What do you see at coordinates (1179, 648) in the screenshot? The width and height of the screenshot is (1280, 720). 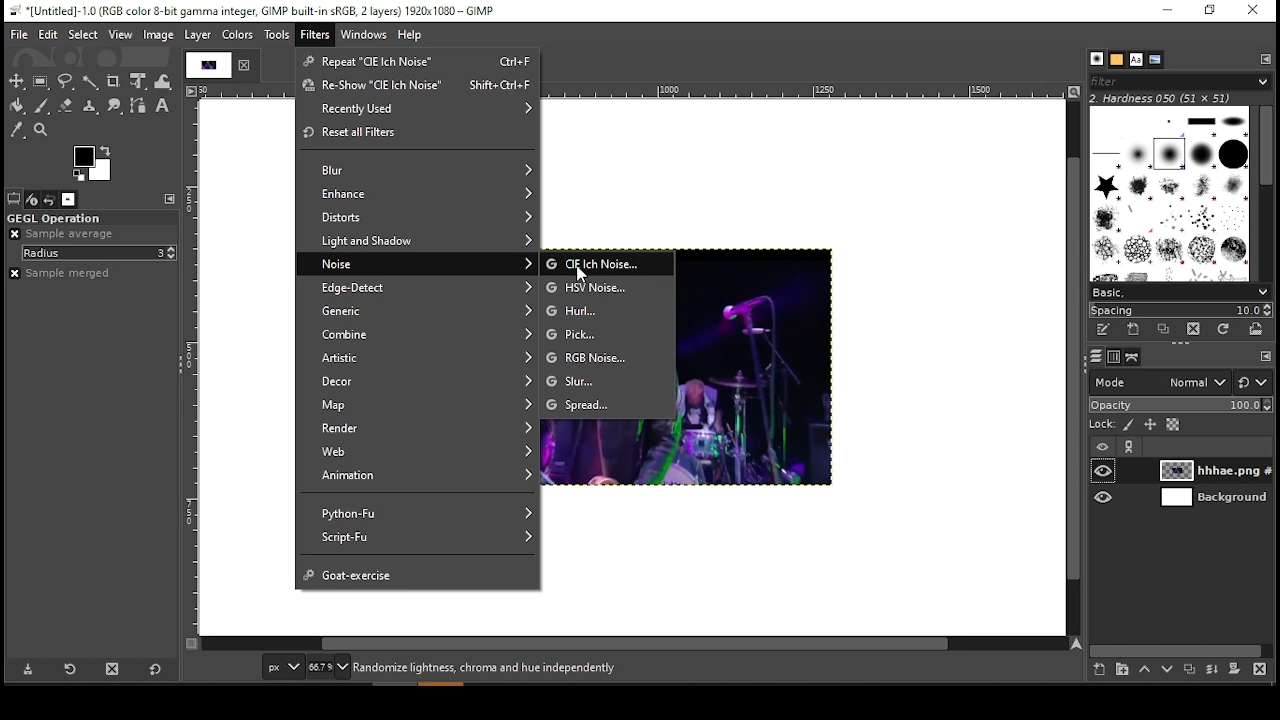 I see `scroll bar` at bounding box center [1179, 648].